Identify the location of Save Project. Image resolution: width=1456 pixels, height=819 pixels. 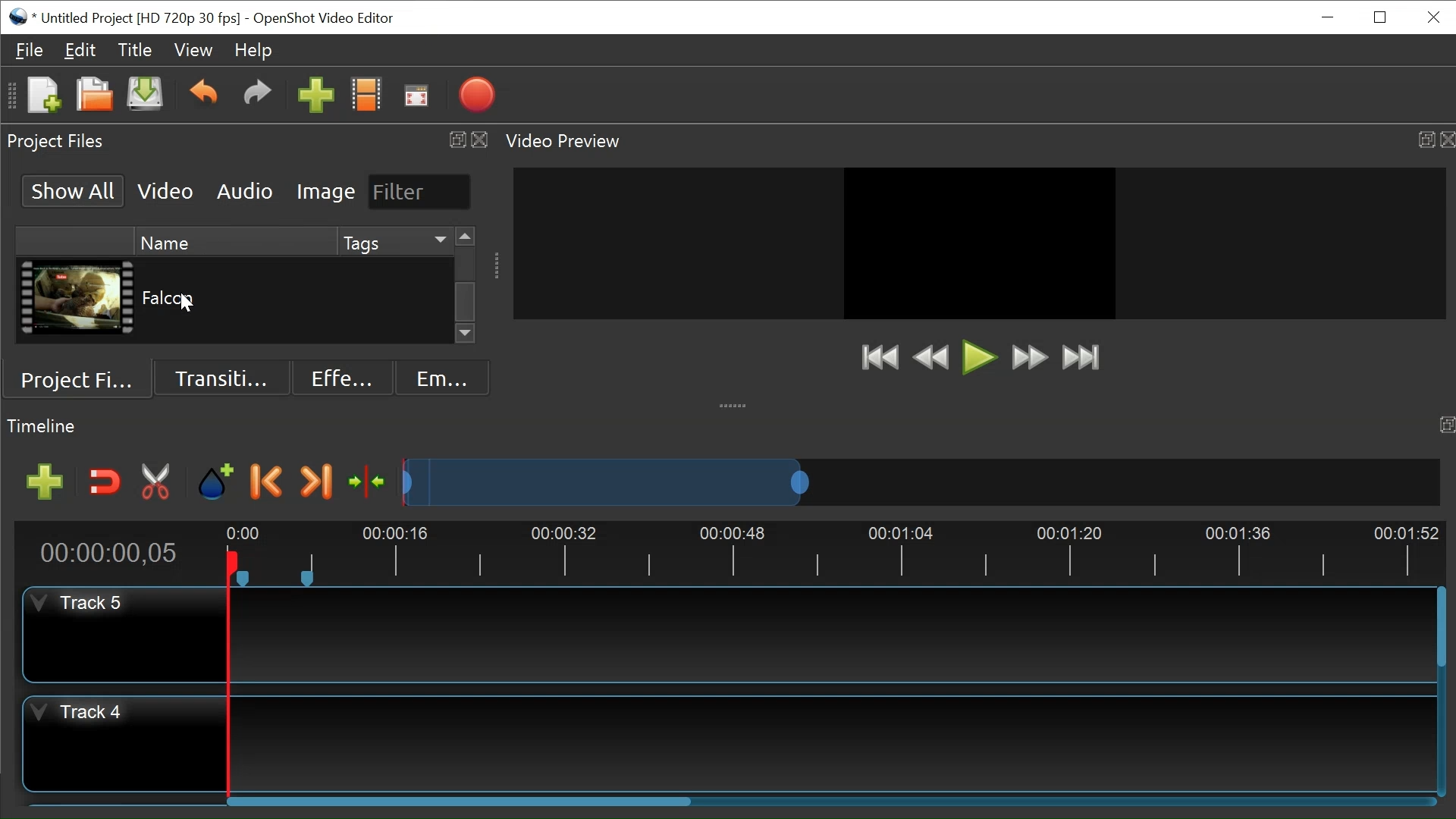
(146, 96).